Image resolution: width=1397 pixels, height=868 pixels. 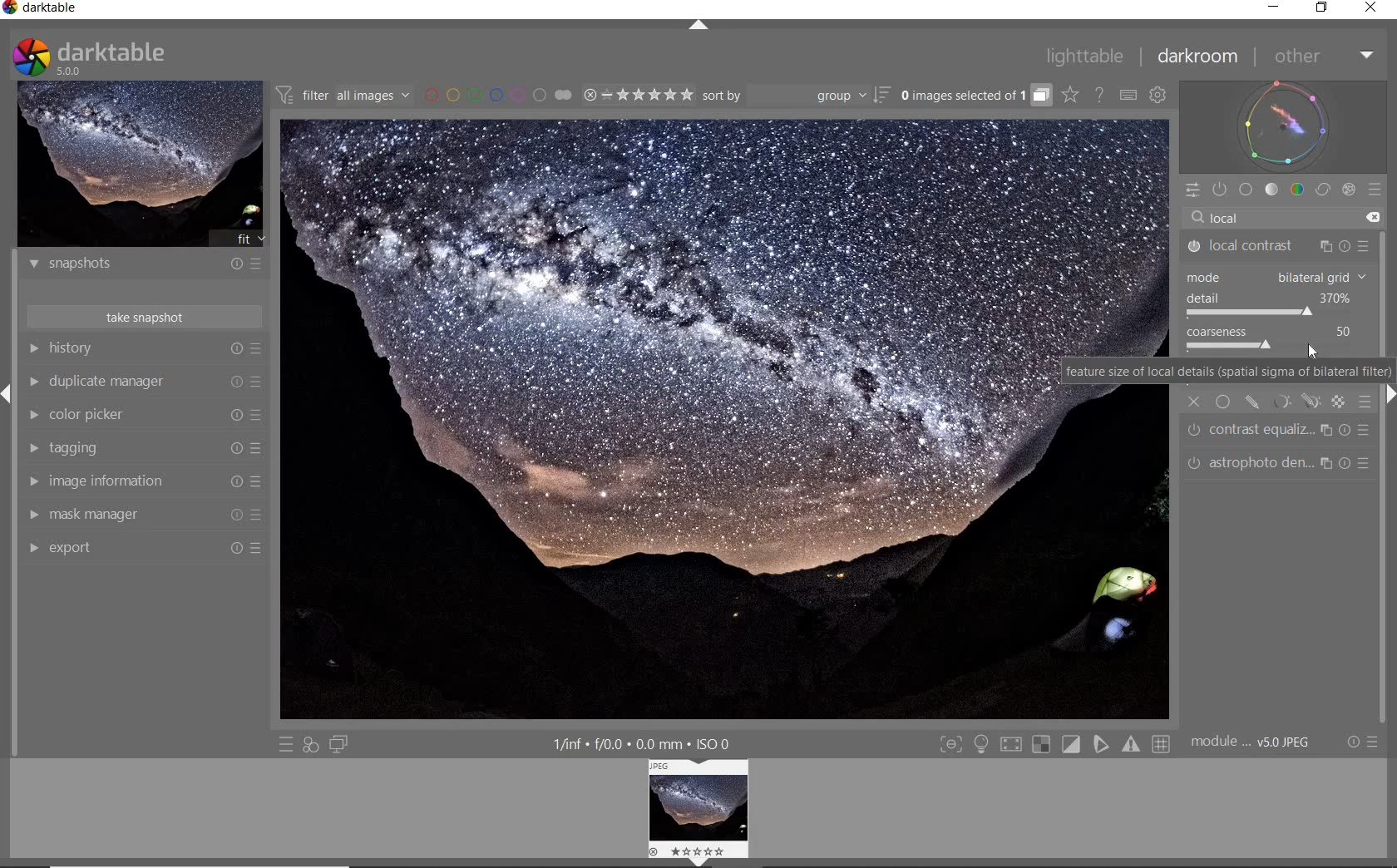 What do you see at coordinates (1349, 241) in the screenshot?
I see `reset parameters` at bounding box center [1349, 241].